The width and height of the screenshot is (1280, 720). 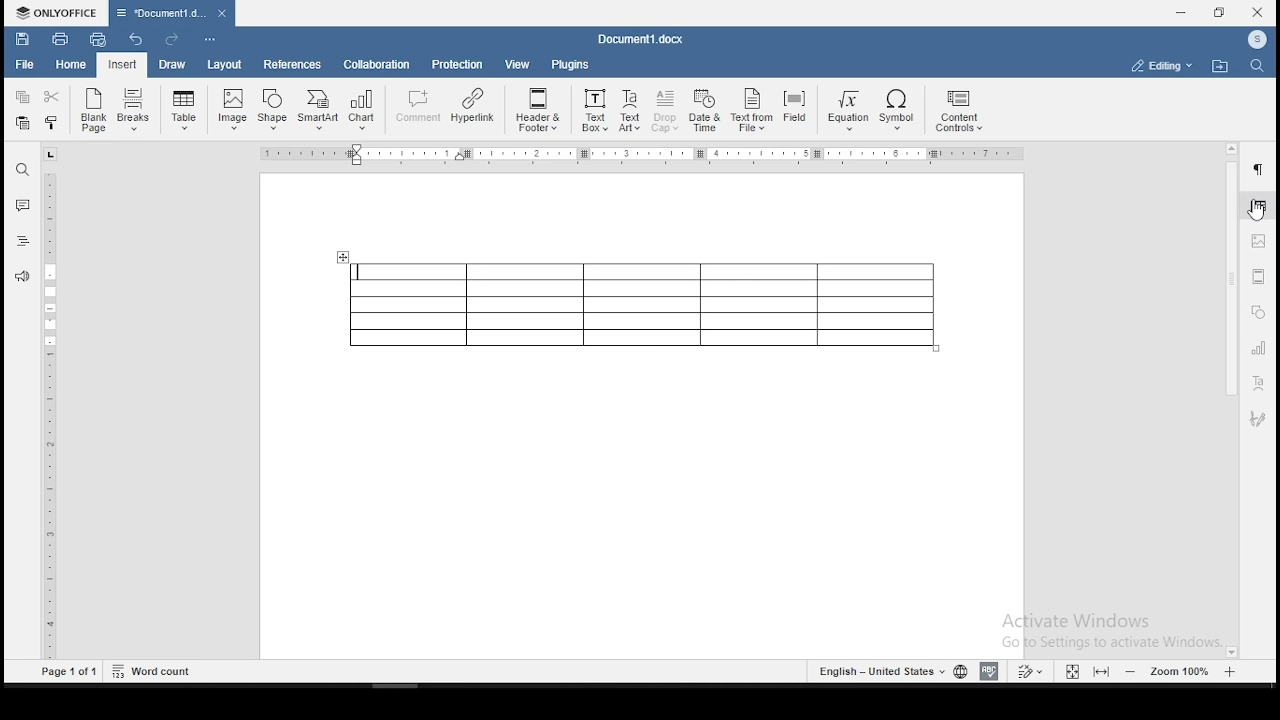 What do you see at coordinates (751, 112) in the screenshot?
I see `Text From File` at bounding box center [751, 112].